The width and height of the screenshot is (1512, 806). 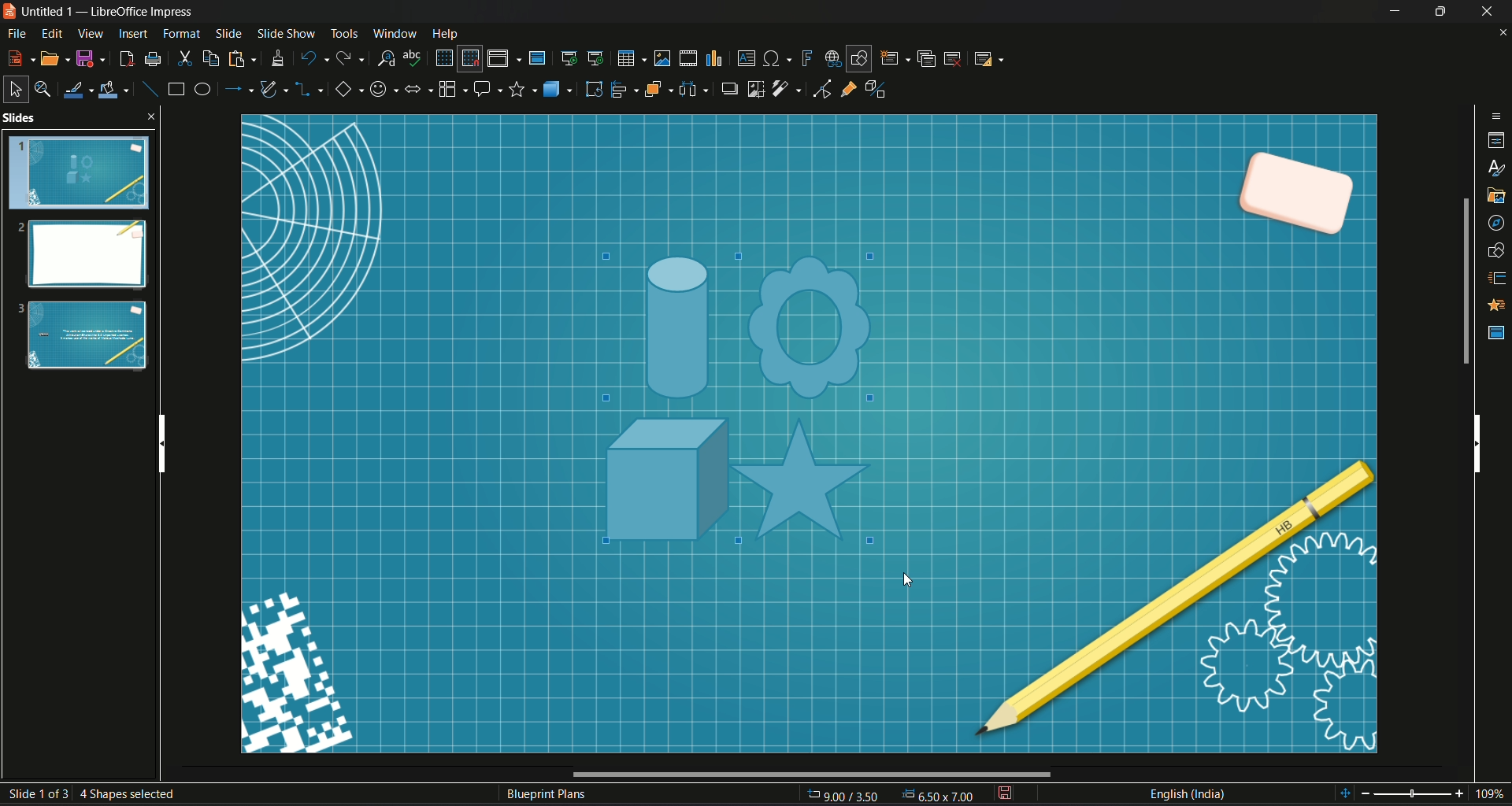 What do you see at coordinates (469, 59) in the screenshot?
I see `snap to grid` at bounding box center [469, 59].